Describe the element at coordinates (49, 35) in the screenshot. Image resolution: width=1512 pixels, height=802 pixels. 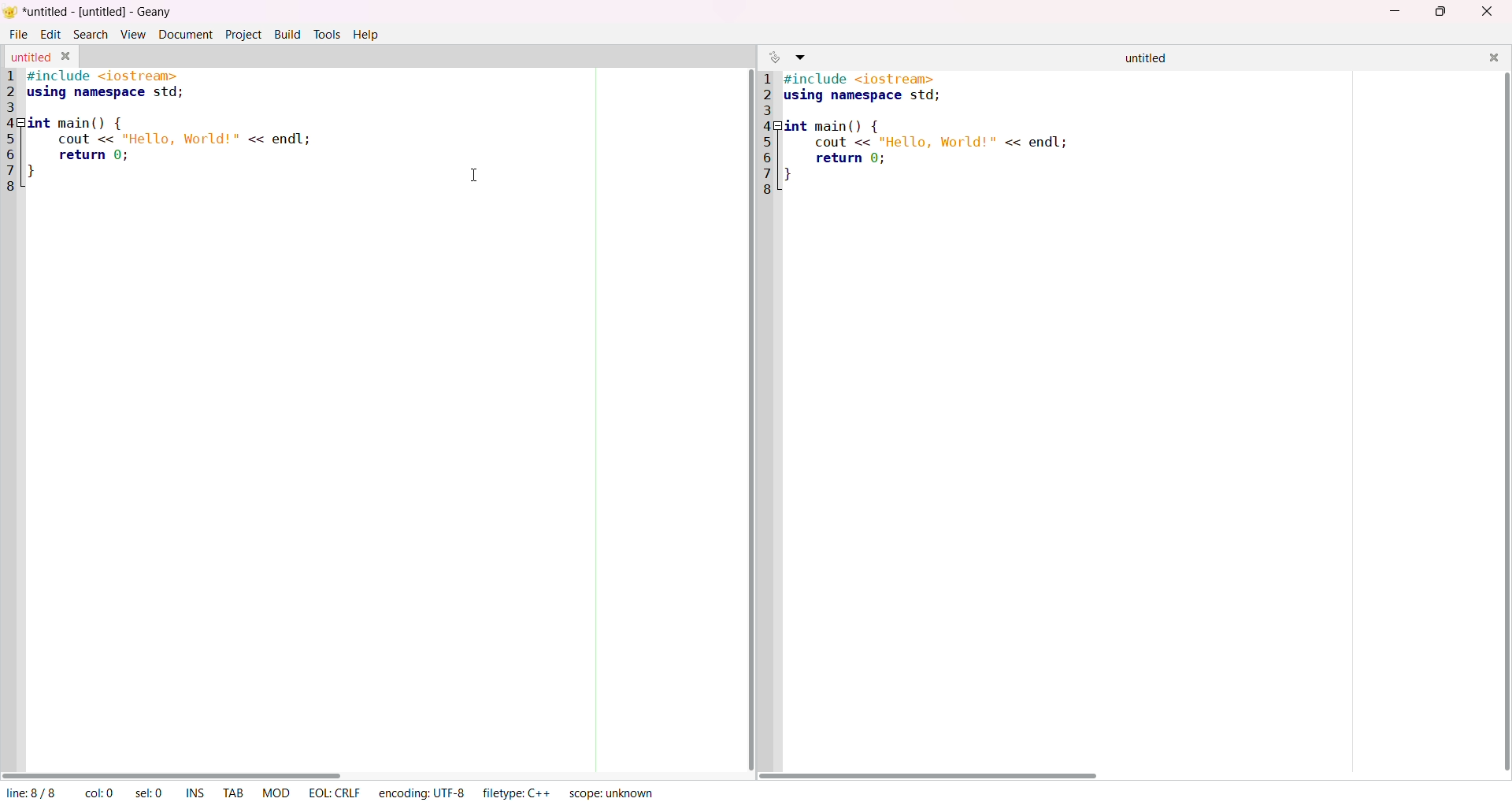
I see `Edit` at that location.